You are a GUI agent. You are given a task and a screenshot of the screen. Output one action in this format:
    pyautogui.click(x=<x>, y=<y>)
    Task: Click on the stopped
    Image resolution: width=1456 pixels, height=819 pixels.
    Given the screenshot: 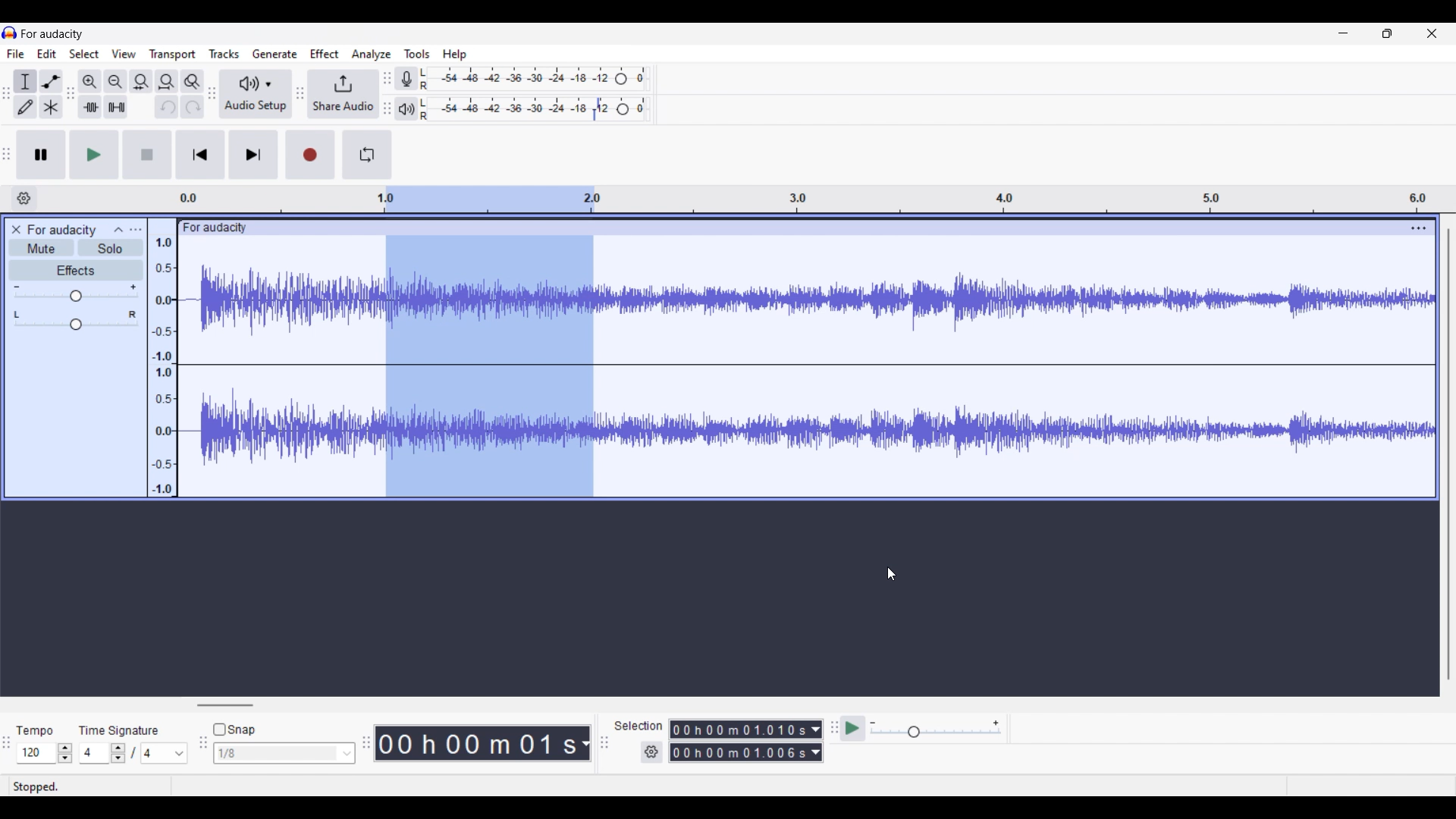 What is the action you would take?
    pyautogui.click(x=65, y=785)
    